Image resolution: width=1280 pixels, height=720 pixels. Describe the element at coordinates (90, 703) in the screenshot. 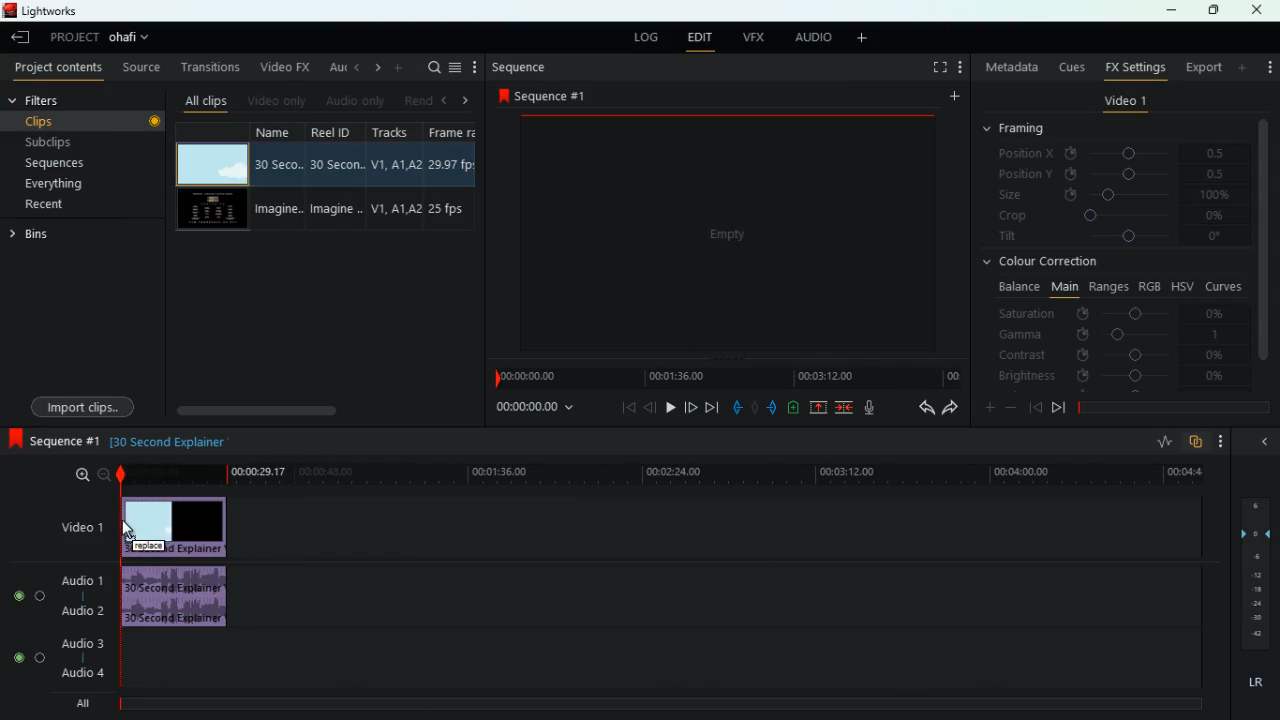

I see `all` at that location.